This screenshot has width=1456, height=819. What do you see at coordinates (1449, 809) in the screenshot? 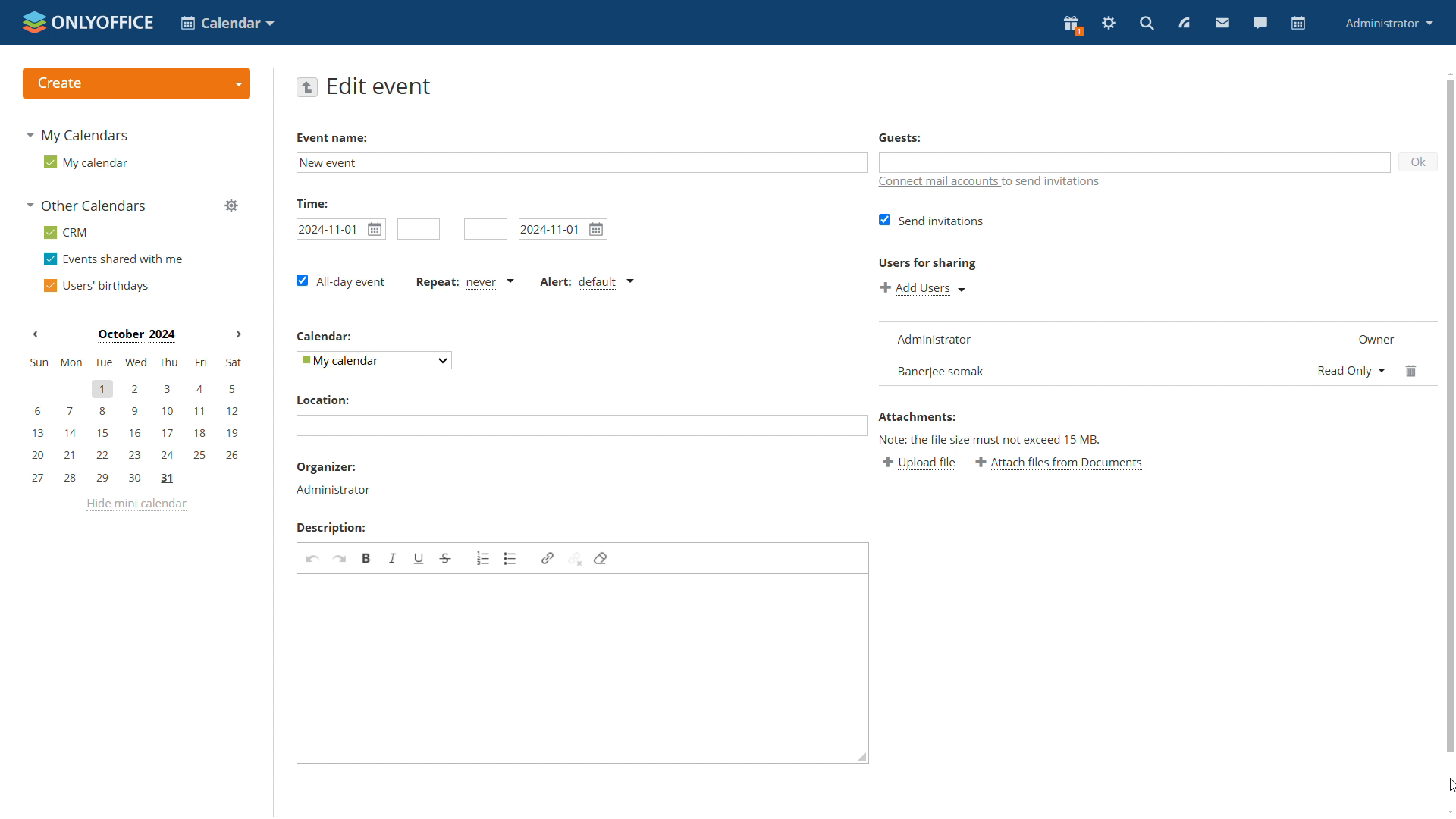
I see `scroll down` at bounding box center [1449, 809].